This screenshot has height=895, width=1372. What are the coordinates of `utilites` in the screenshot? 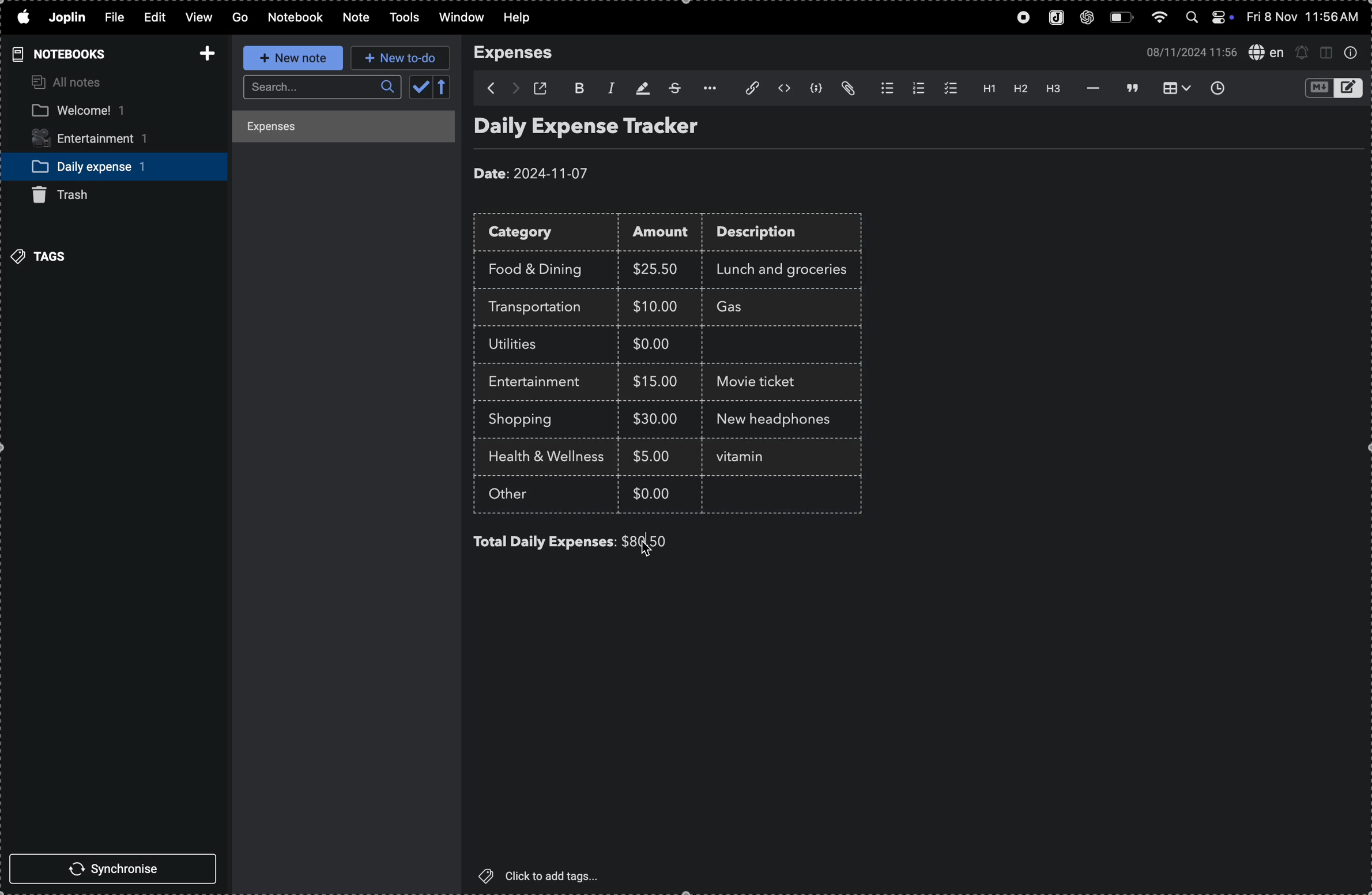 It's located at (524, 345).